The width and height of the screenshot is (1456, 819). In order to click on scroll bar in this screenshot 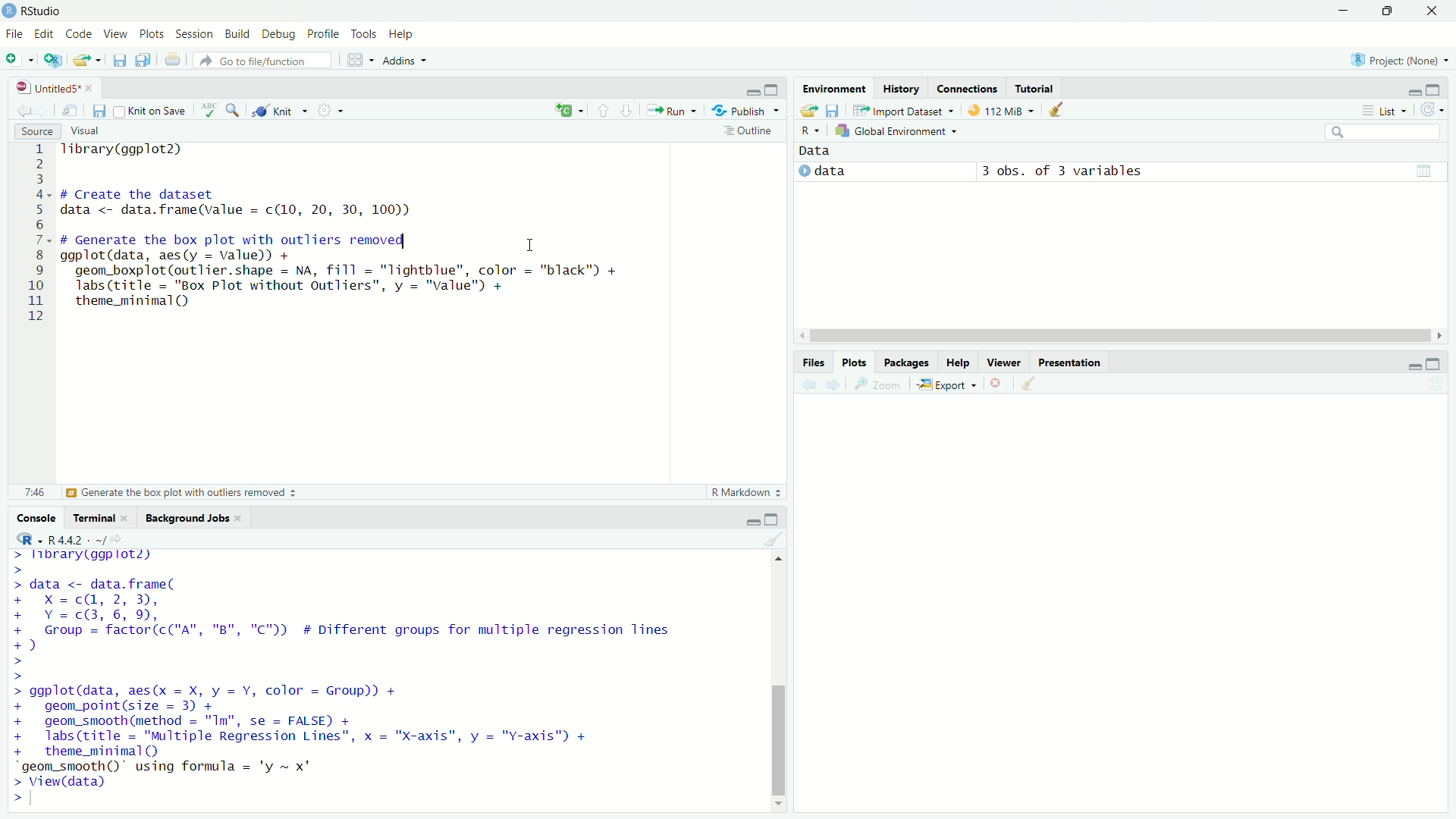, I will do `click(1106, 334)`.